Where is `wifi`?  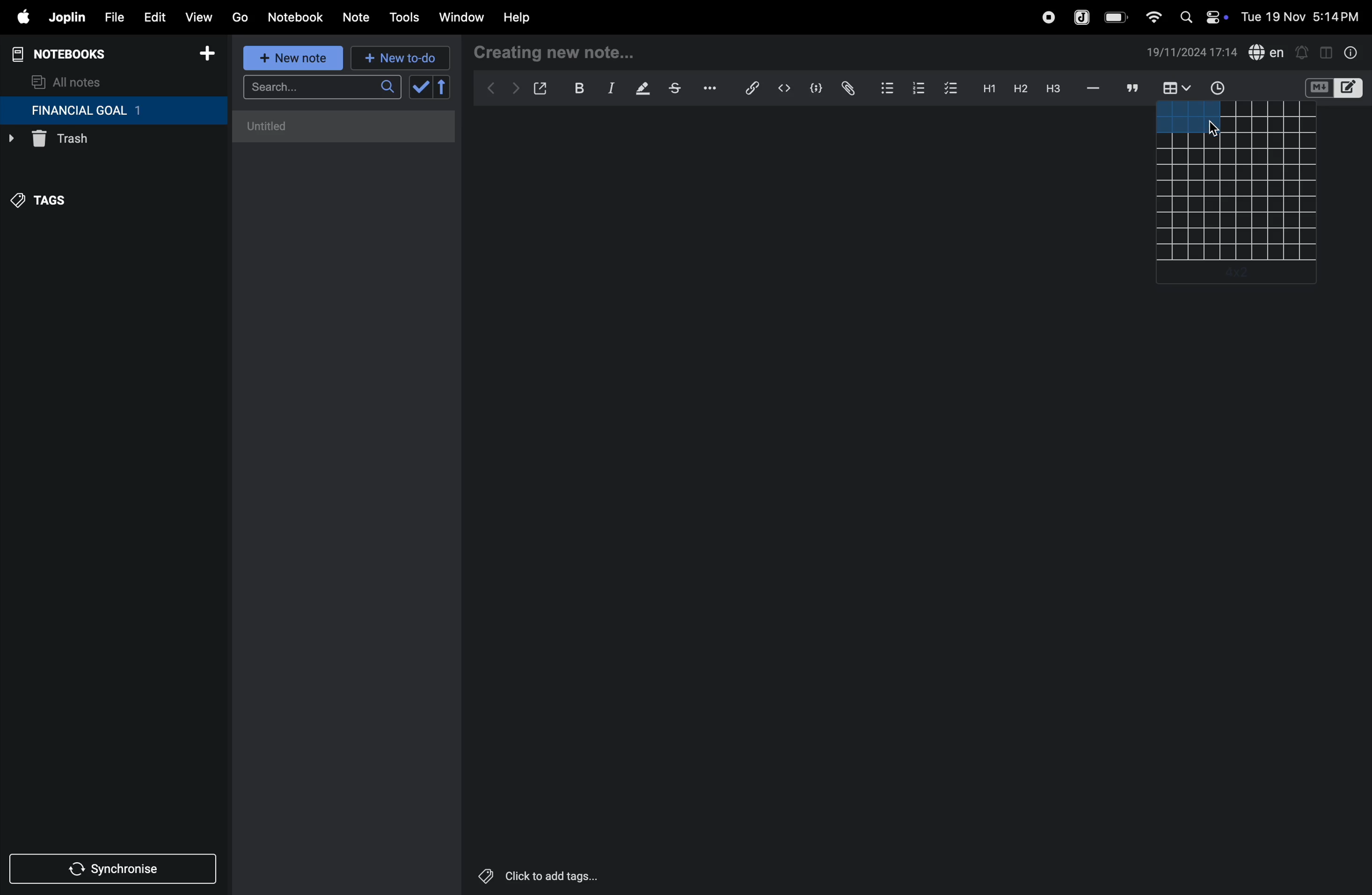 wifi is located at coordinates (1150, 17).